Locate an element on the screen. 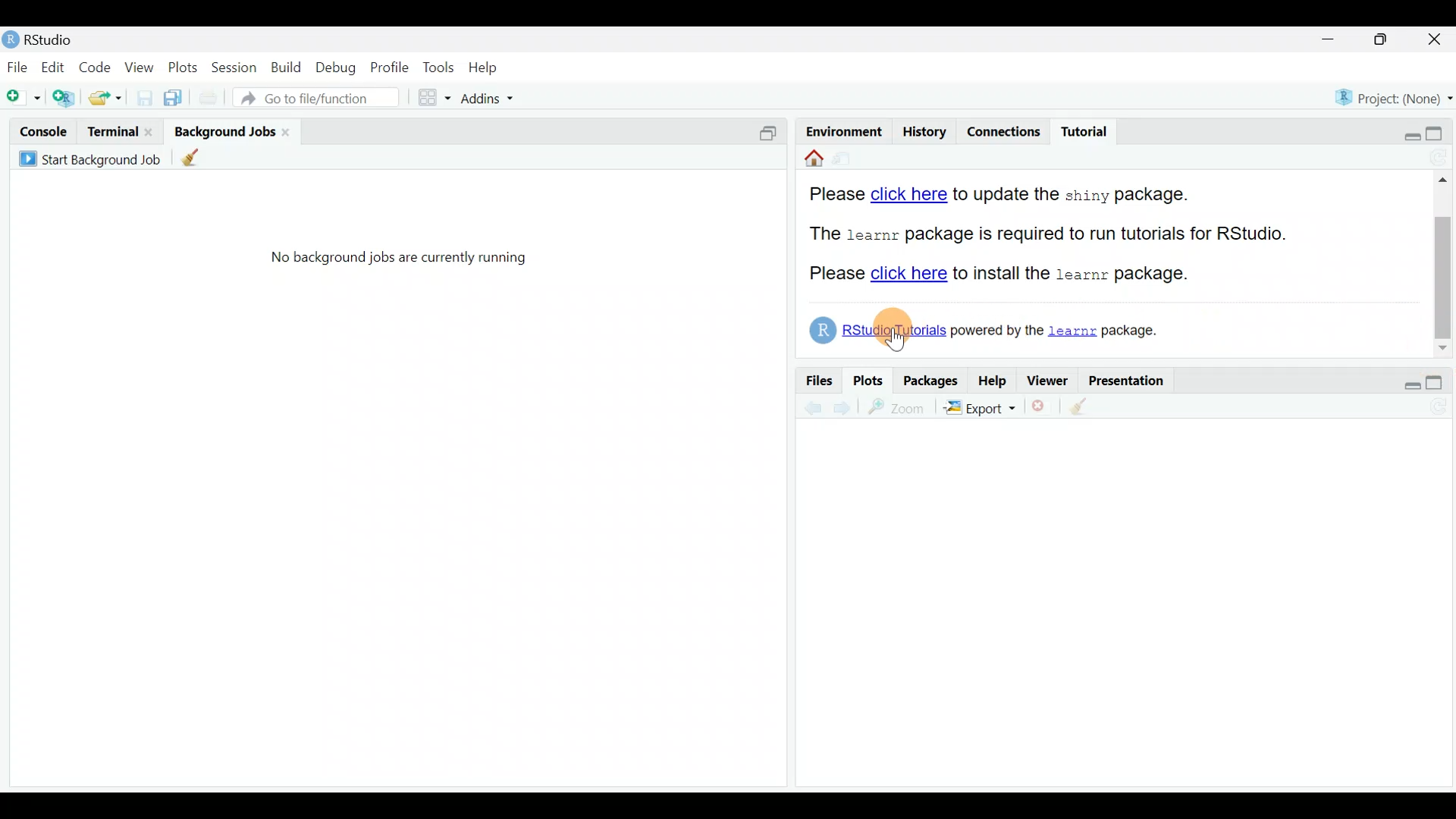 The image size is (1456, 819). Zoom is located at coordinates (895, 408).